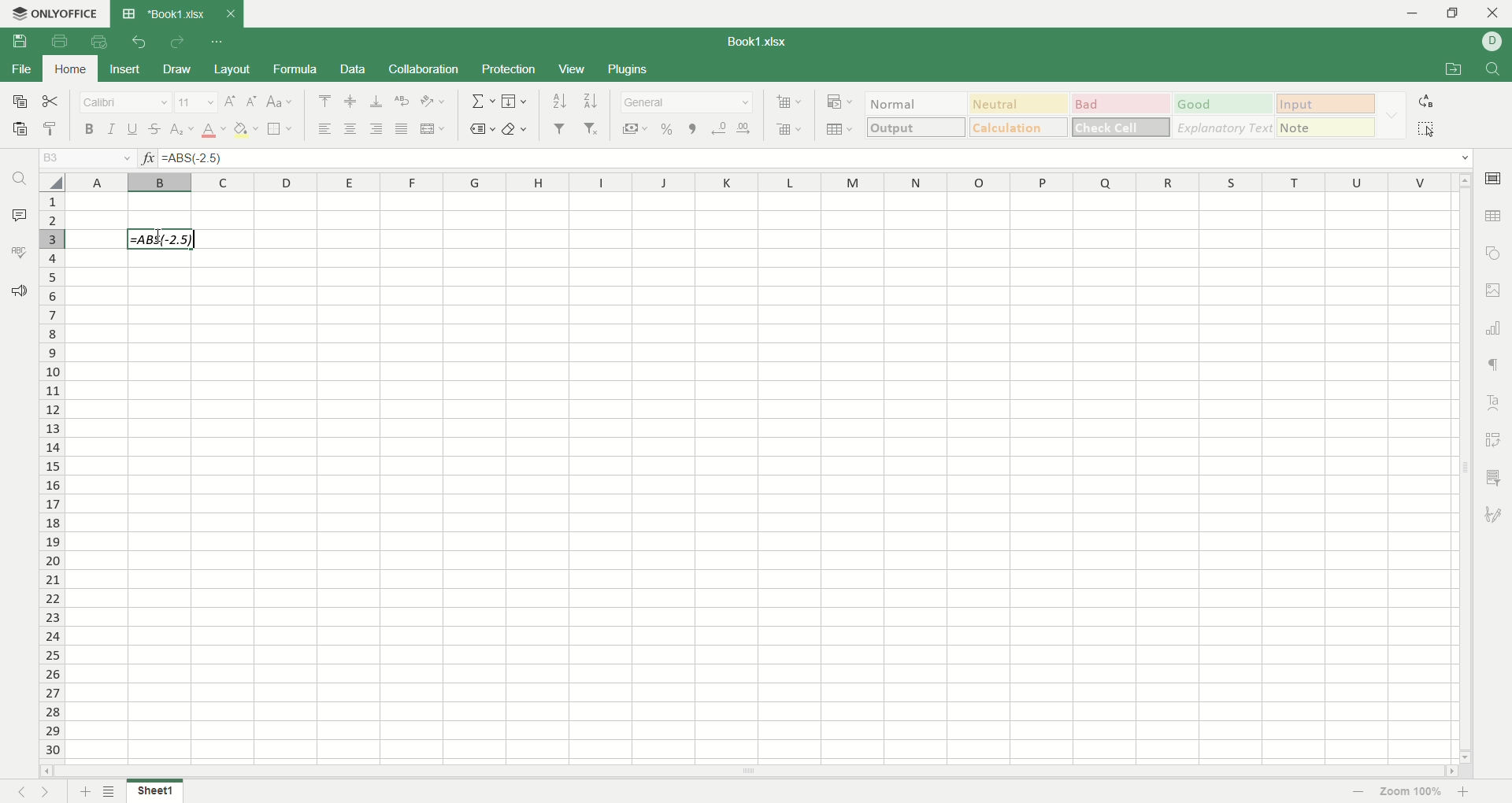 Image resolution: width=1512 pixels, height=803 pixels. I want to click on select all, so click(1426, 128).